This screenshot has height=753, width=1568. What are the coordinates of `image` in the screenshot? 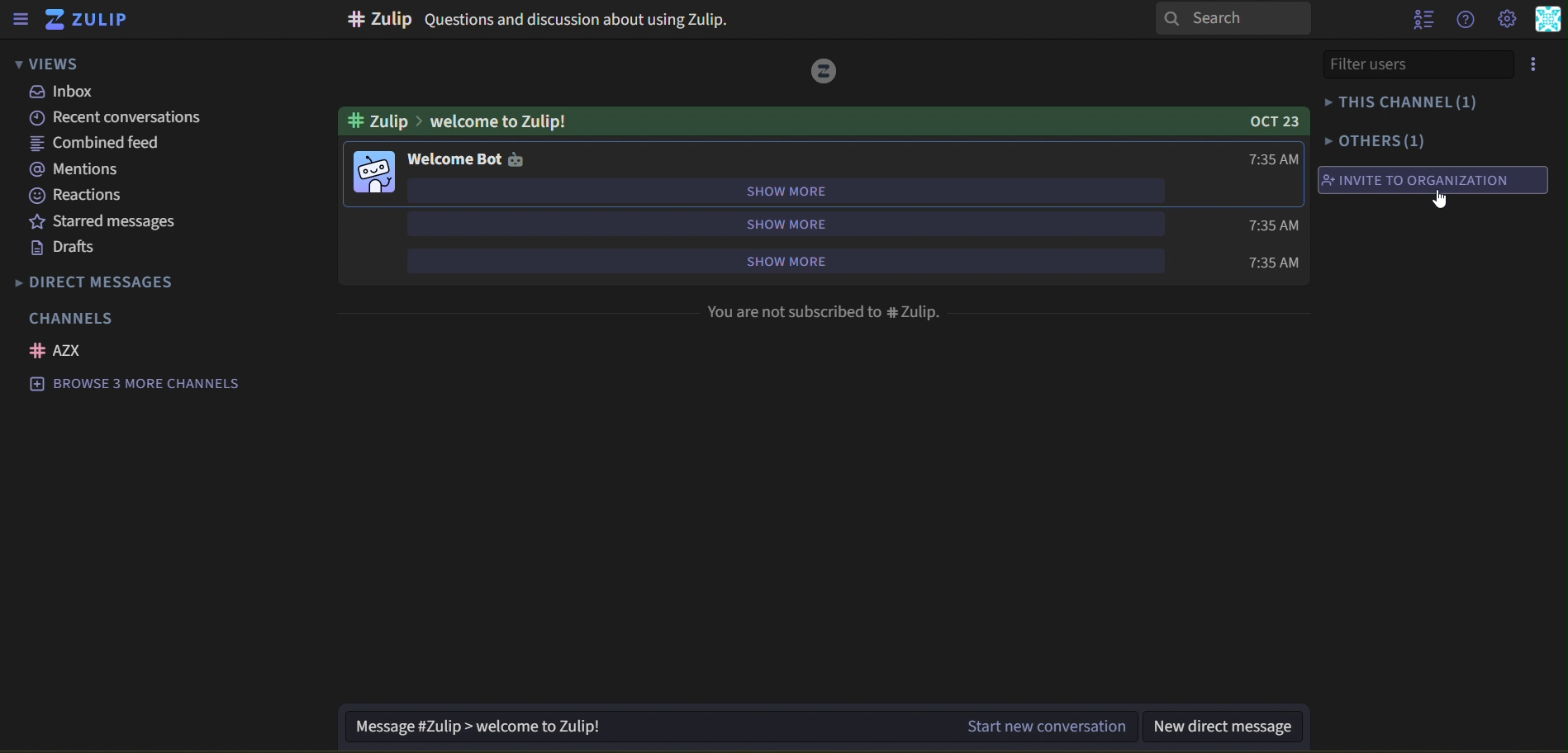 It's located at (824, 71).